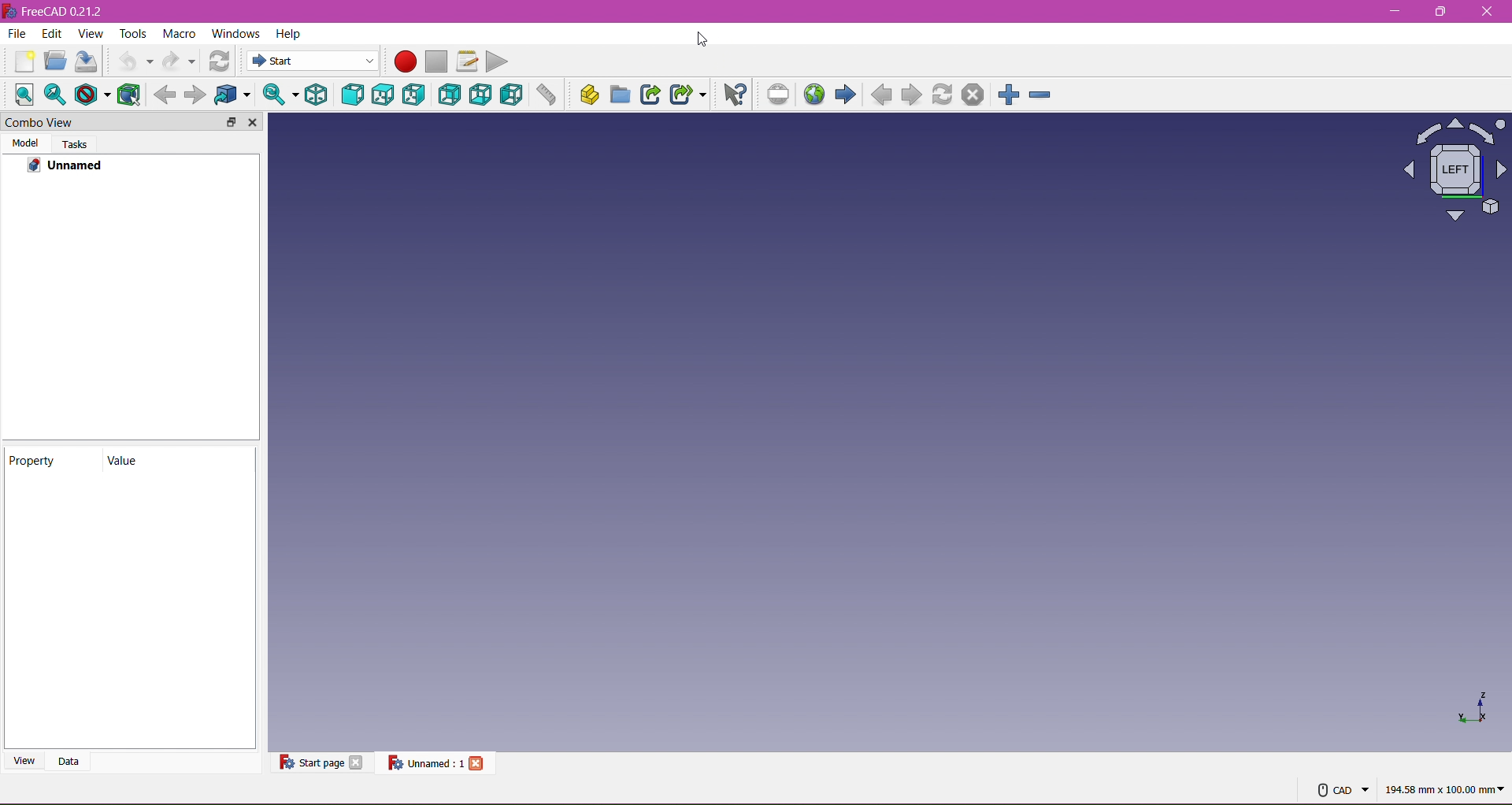 The image size is (1512, 805). I want to click on Cursor, so click(703, 40).